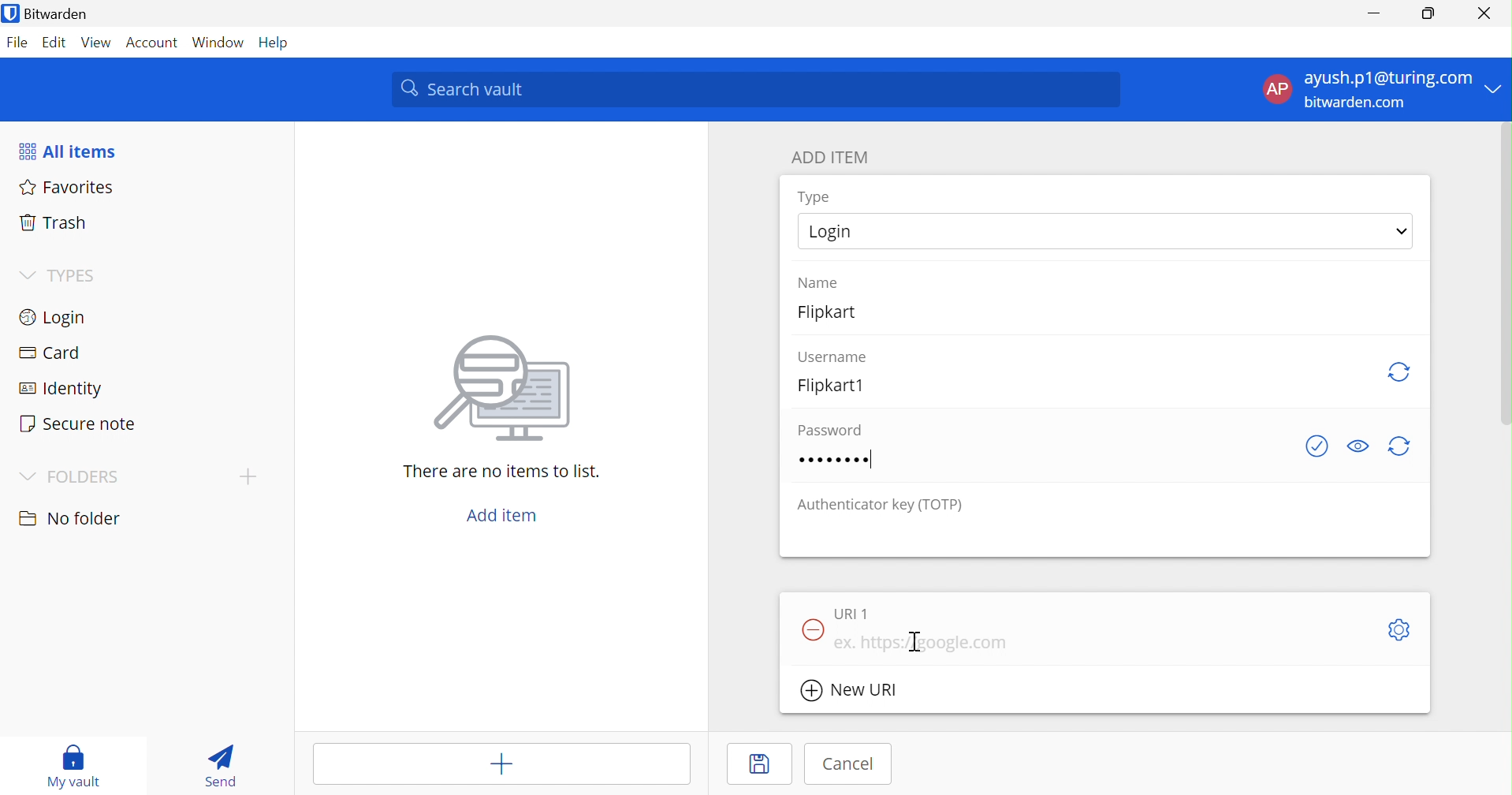  What do you see at coordinates (1397, 629) in the screenshot?
I see `Toggleoptions` at bounding box center [1397, 629].